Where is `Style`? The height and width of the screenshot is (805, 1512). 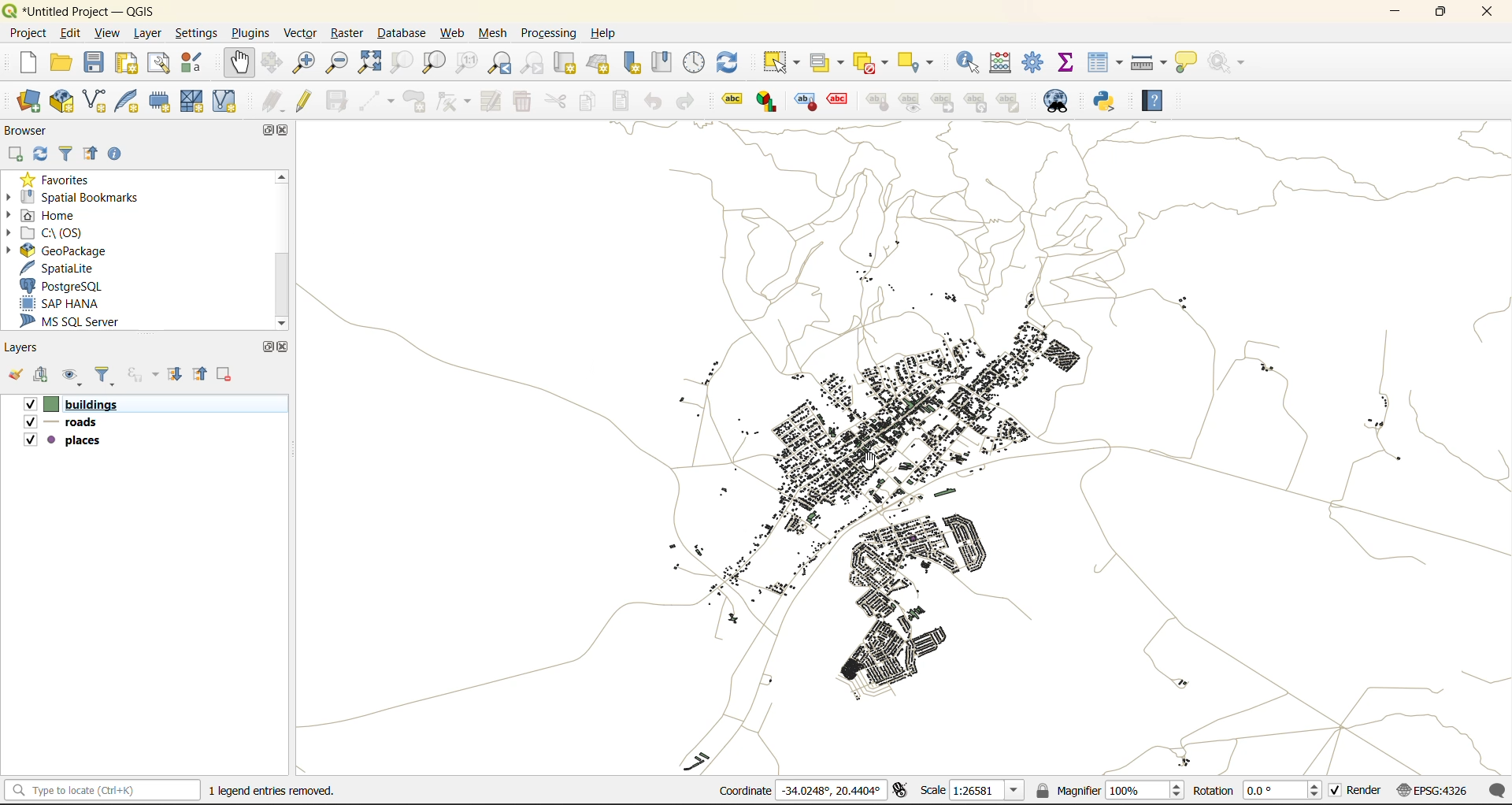
Style is located at coordinates (805, 101).